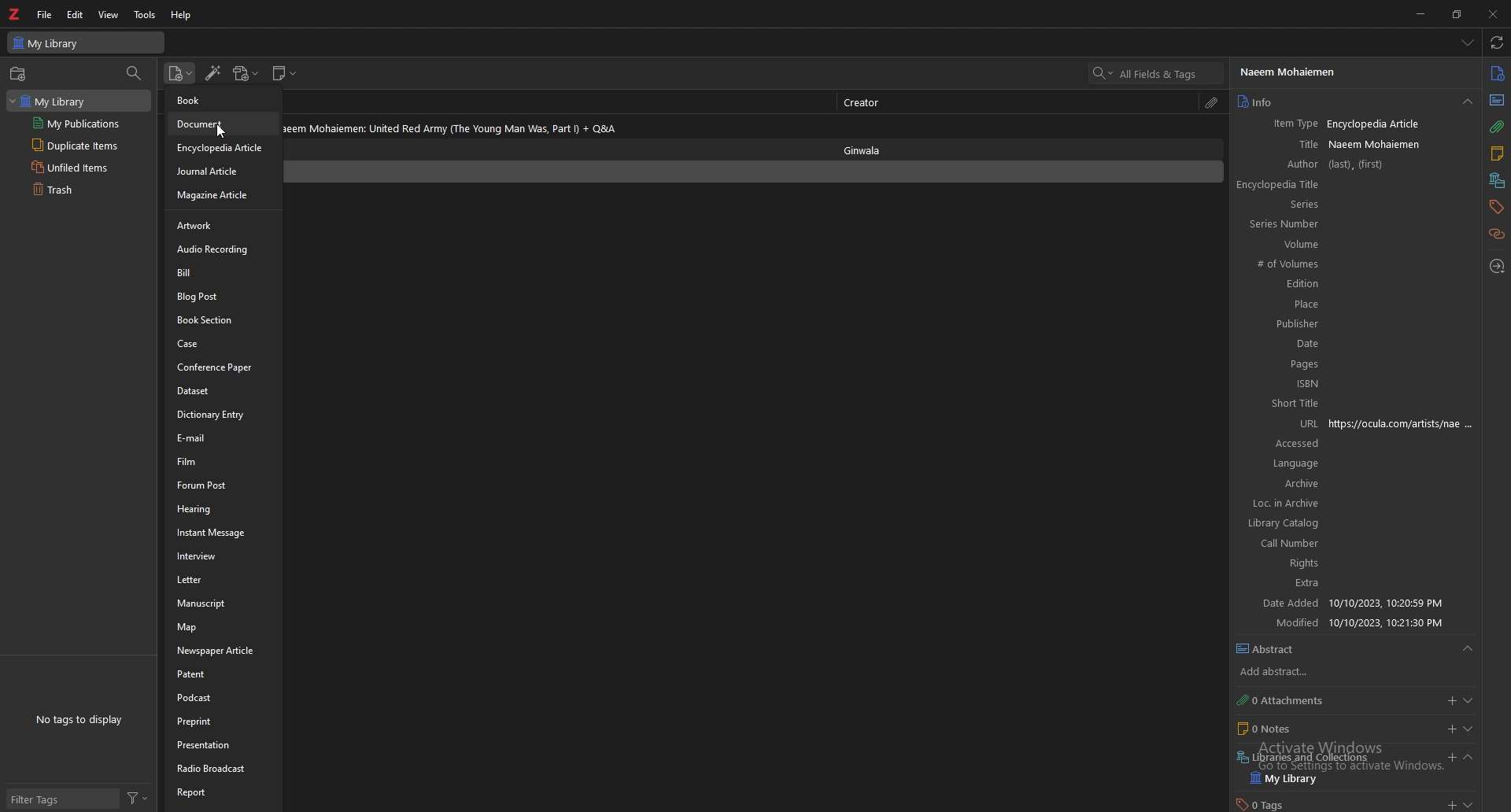 This screenshot has height=812, width=1511. Describe the element at coordinates (1279, 485) in the screenshot. I see `archive` at that location.